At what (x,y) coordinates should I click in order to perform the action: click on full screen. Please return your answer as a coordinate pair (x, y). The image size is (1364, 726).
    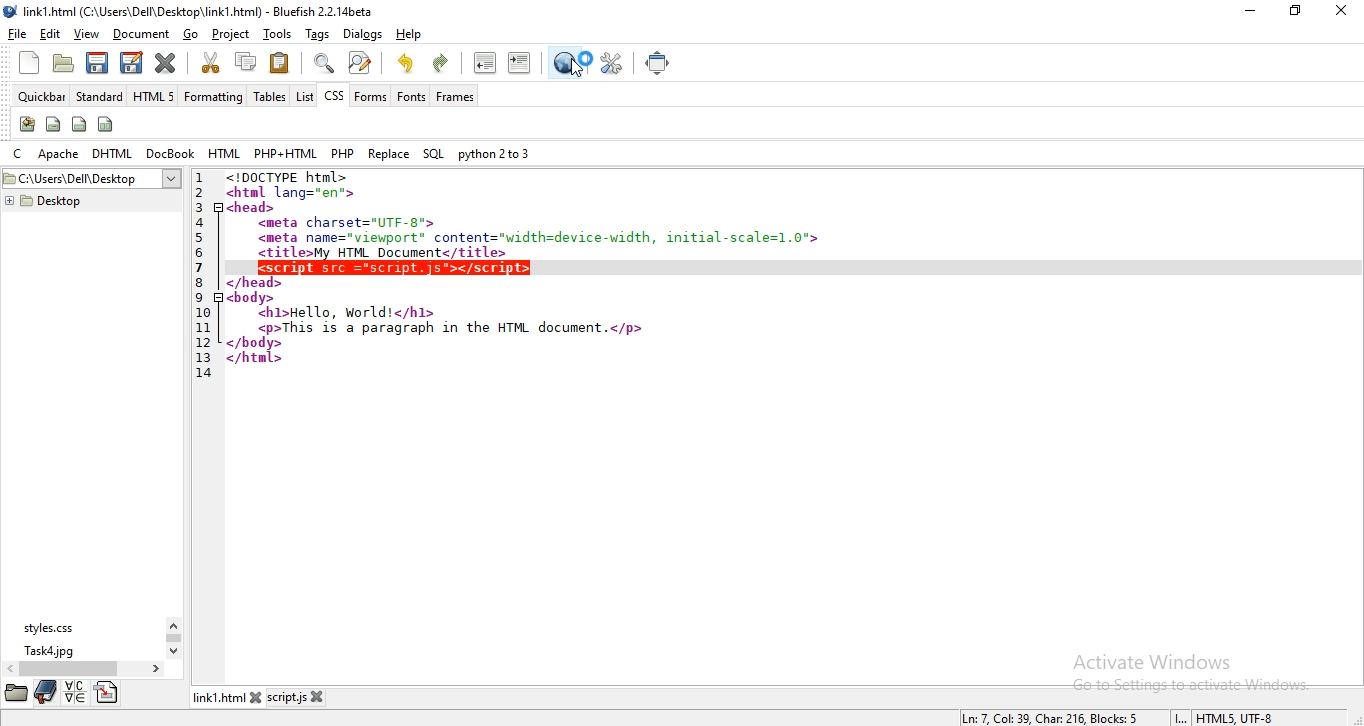
    Looking at the image, I should click on (662, 64).